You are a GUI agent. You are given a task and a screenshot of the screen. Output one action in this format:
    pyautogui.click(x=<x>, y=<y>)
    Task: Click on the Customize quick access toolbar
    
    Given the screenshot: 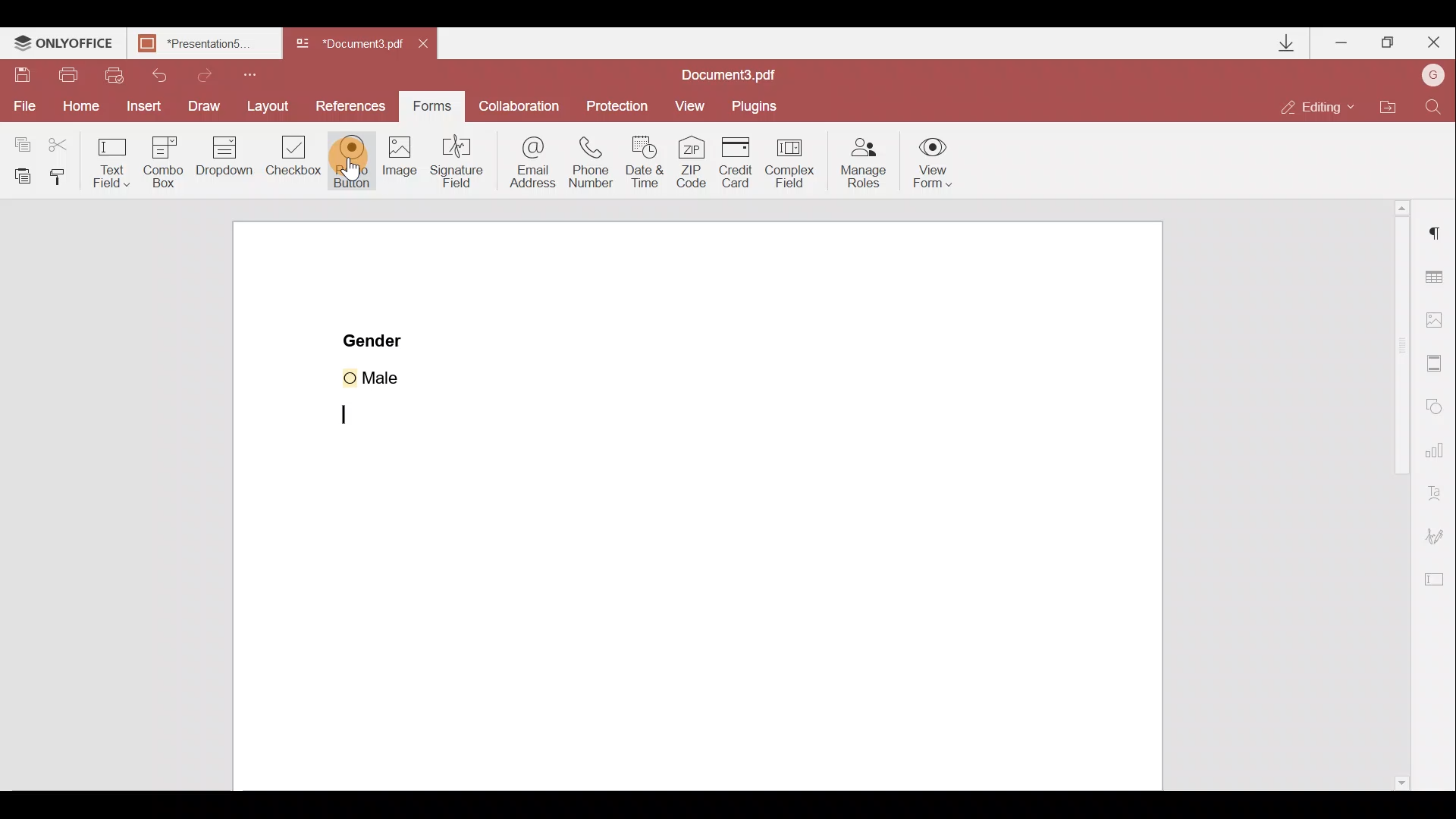 What is the action you would take?
    pyautogui.click(x=259, y=73)
    